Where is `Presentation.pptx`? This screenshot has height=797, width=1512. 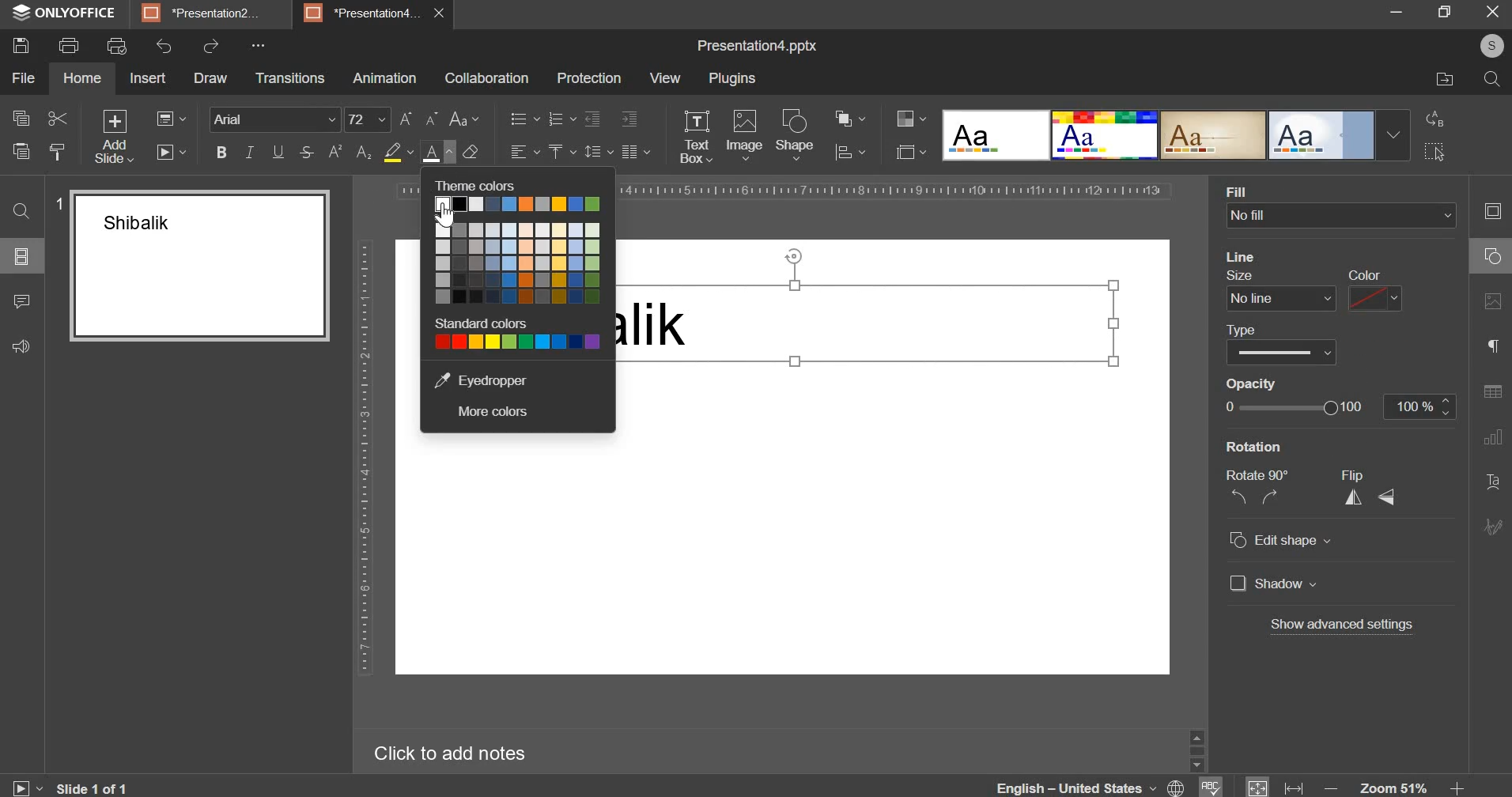 Presentation.pptx is located at coordinates (748, 44).